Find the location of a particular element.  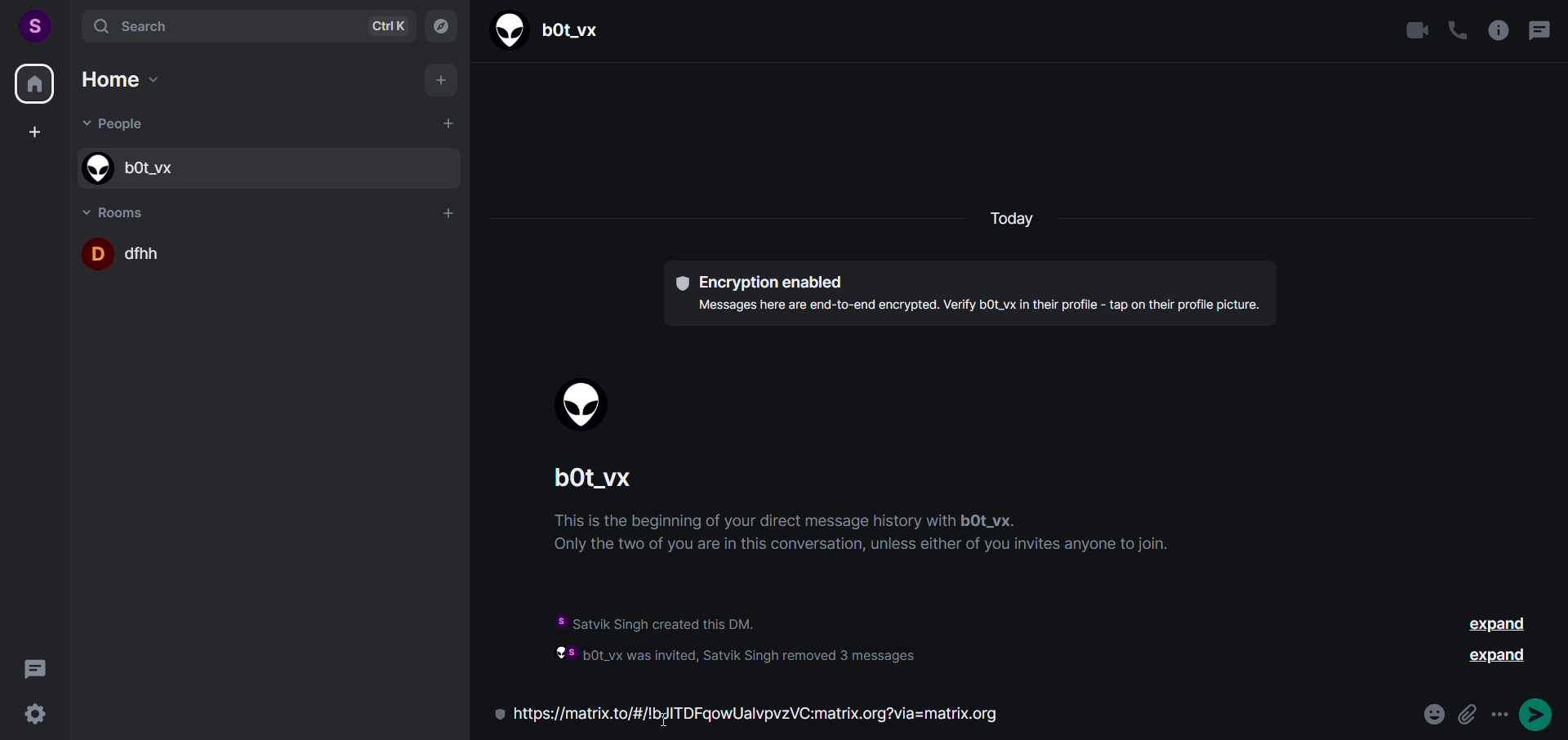

information is located at coordinates (773, 635).